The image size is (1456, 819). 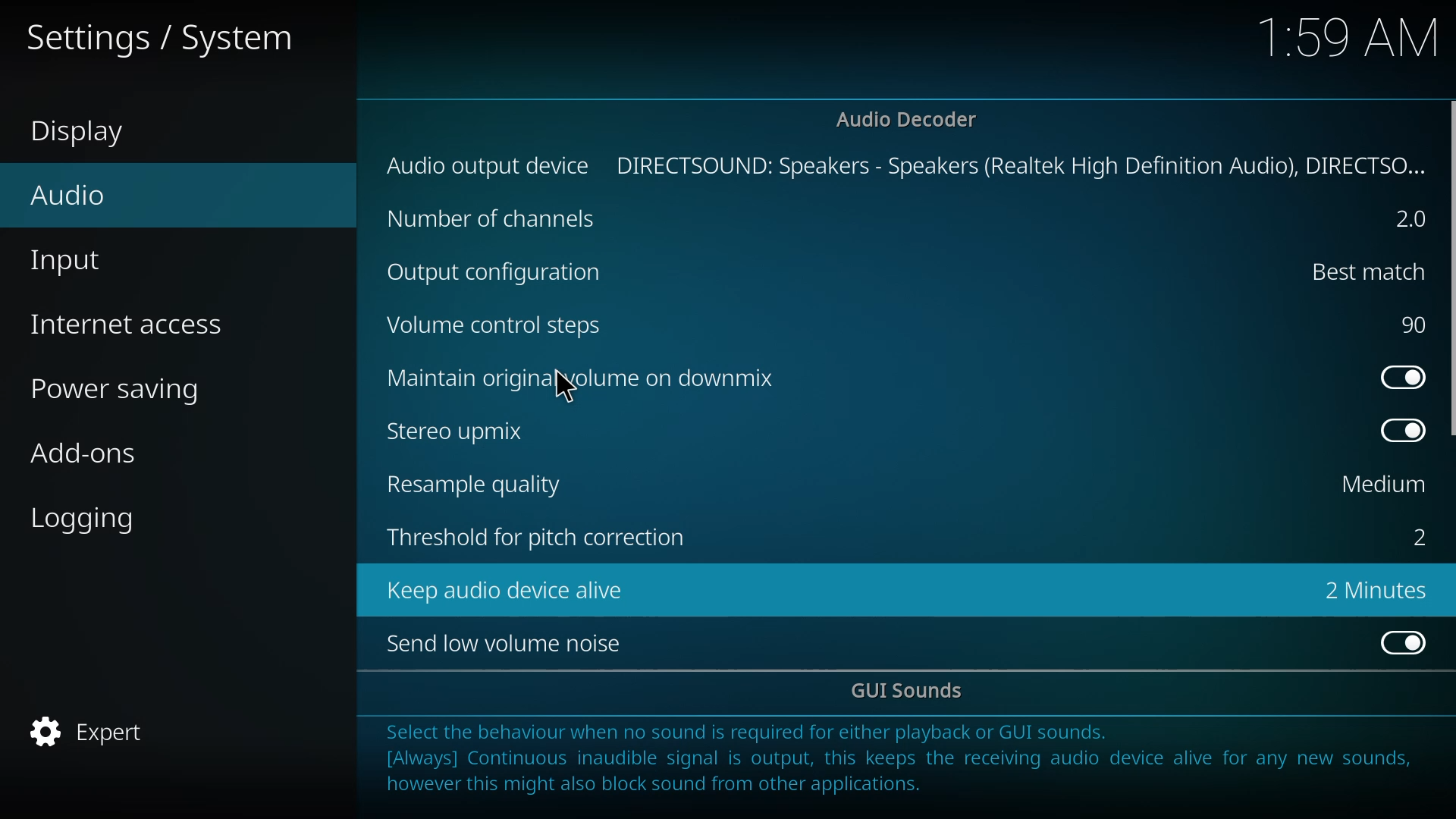 I want to click on number of channels, so click(x=493, y=219).